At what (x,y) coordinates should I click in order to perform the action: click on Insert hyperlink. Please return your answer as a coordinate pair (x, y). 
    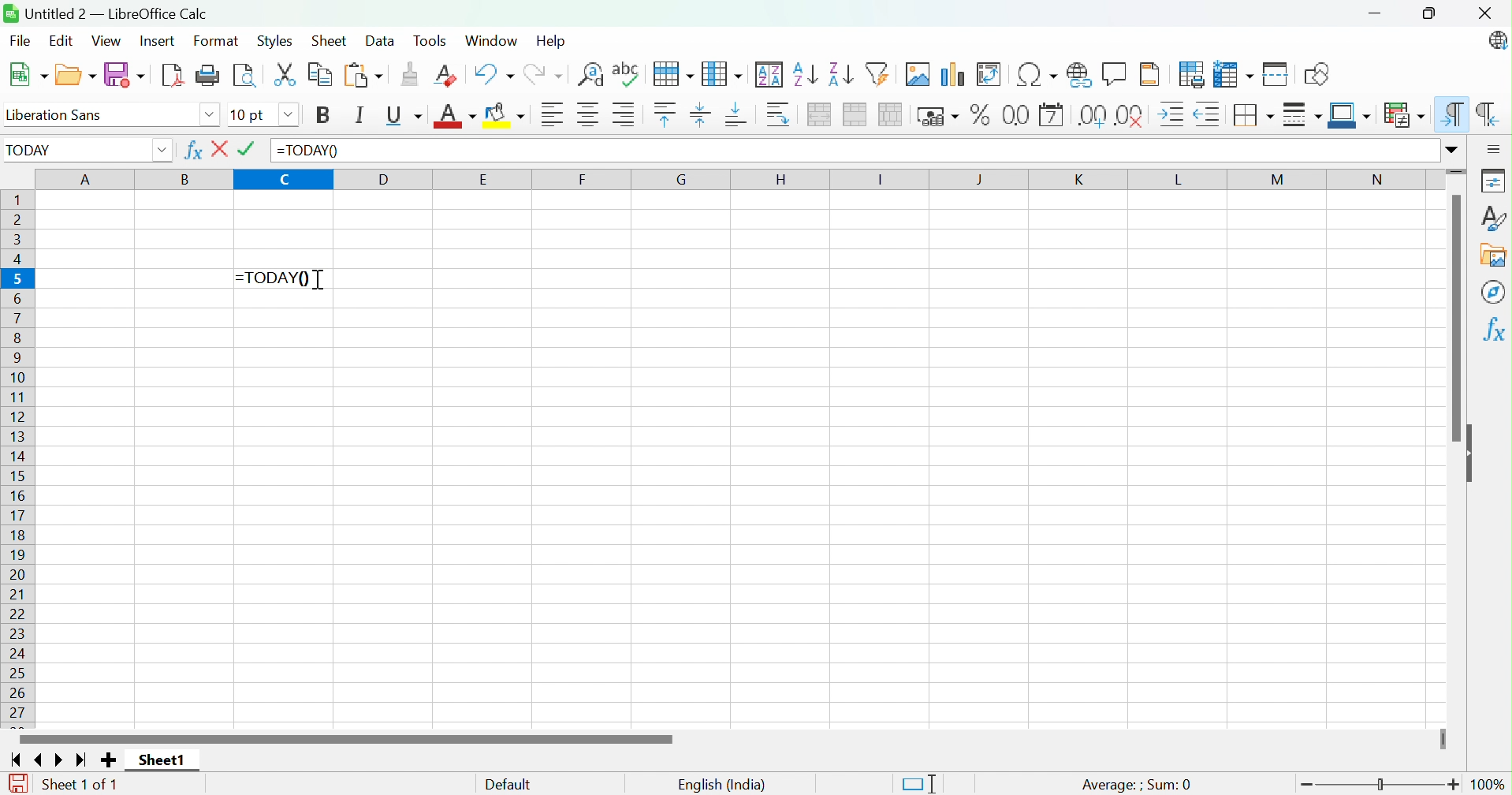
    Looking at the image, I should click on (1078, 73).